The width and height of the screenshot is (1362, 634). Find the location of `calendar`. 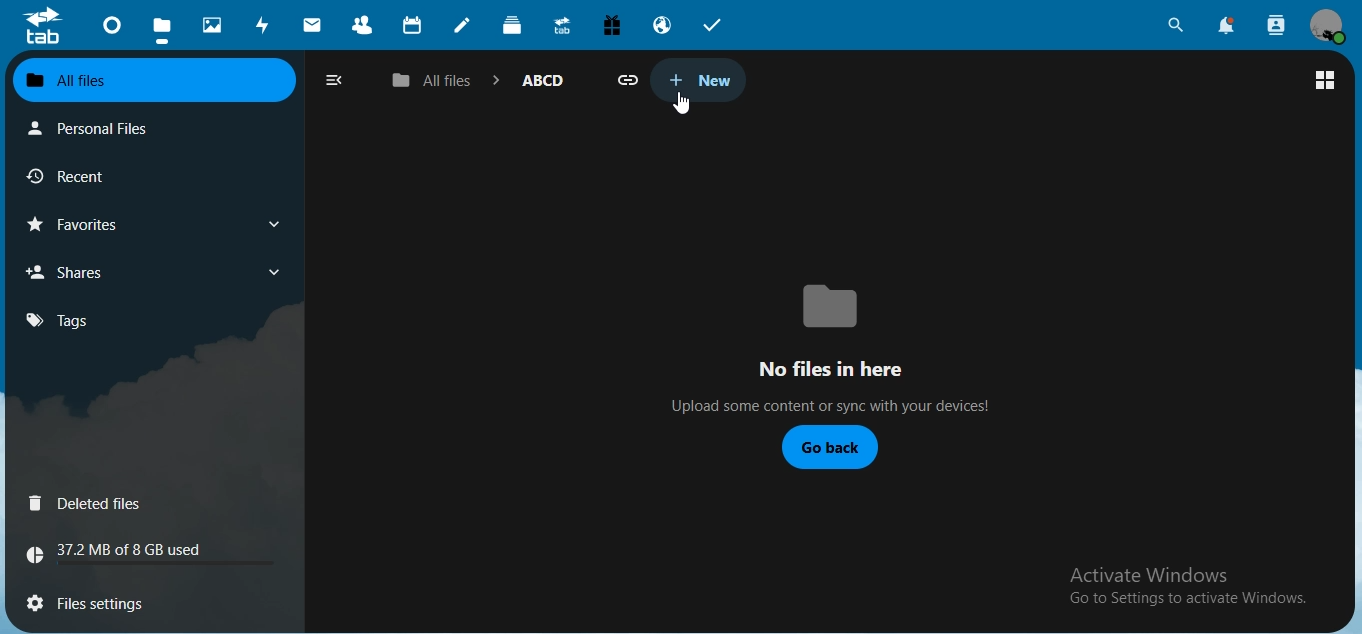

calendar is located at coordinates (414, 26).